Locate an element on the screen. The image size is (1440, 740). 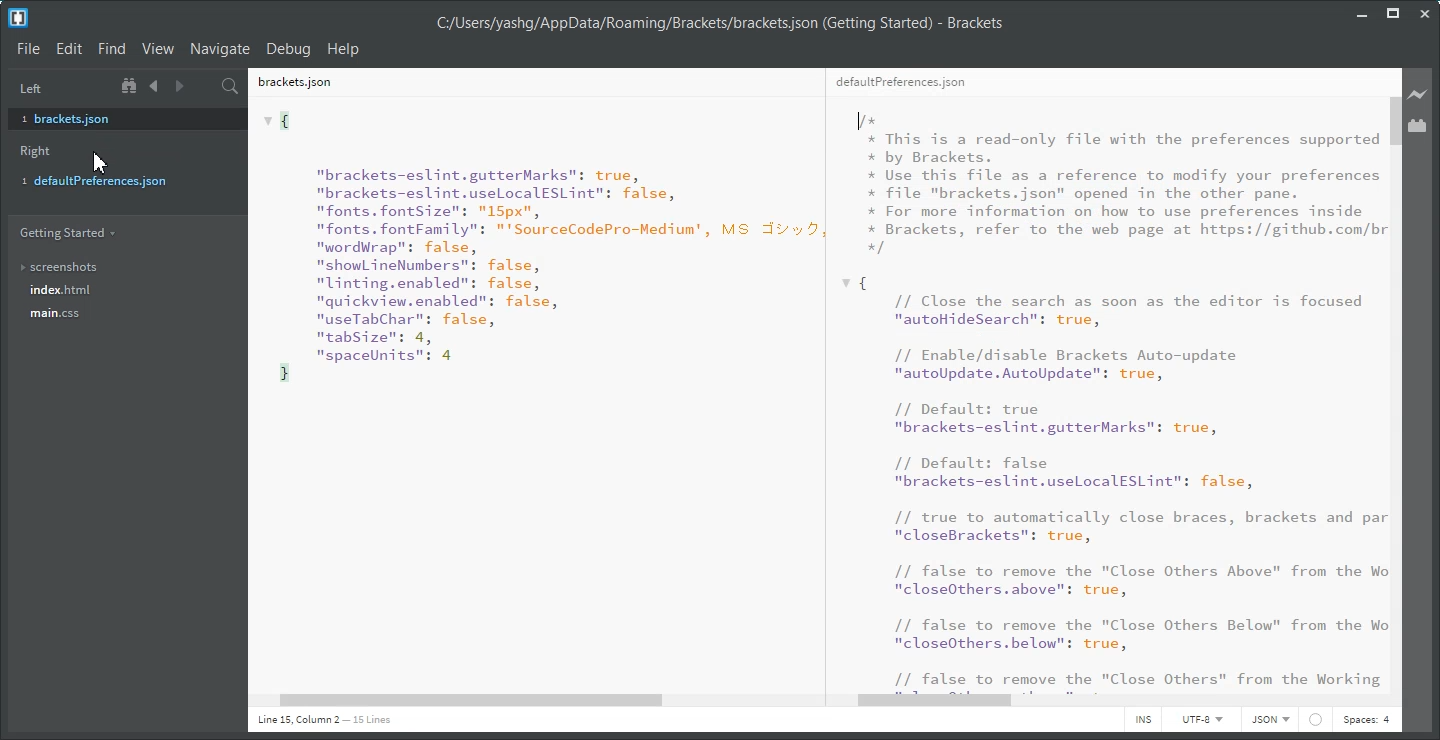
brackets.json  is located at coordinates (125, 119).